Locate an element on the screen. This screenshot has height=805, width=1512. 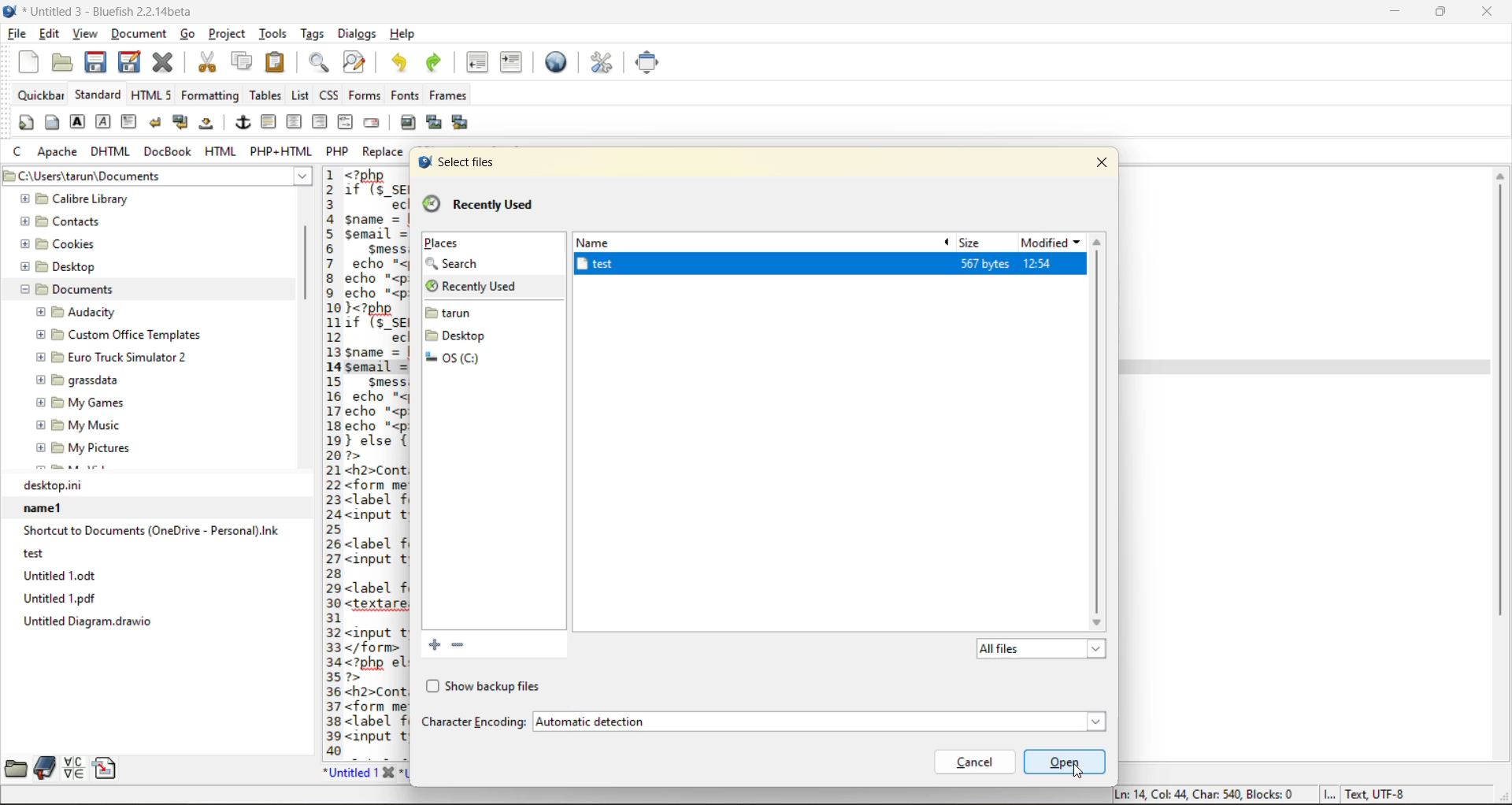
indent is located at coordinates (510, 62).